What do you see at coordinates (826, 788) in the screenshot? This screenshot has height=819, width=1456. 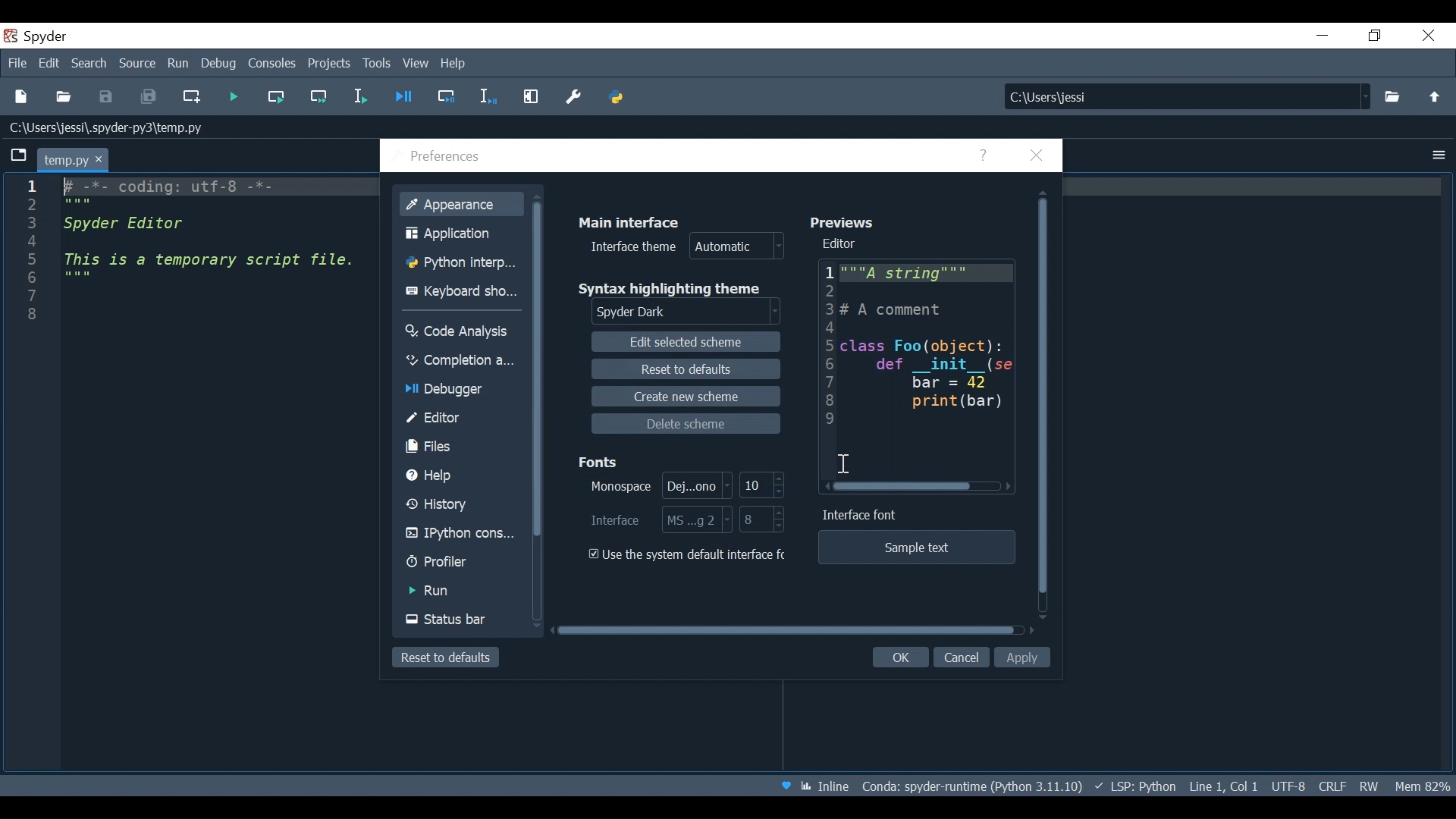 I see `Toggle between inline and interactive Matplotlib plotting` at bounding box center [826, 788].